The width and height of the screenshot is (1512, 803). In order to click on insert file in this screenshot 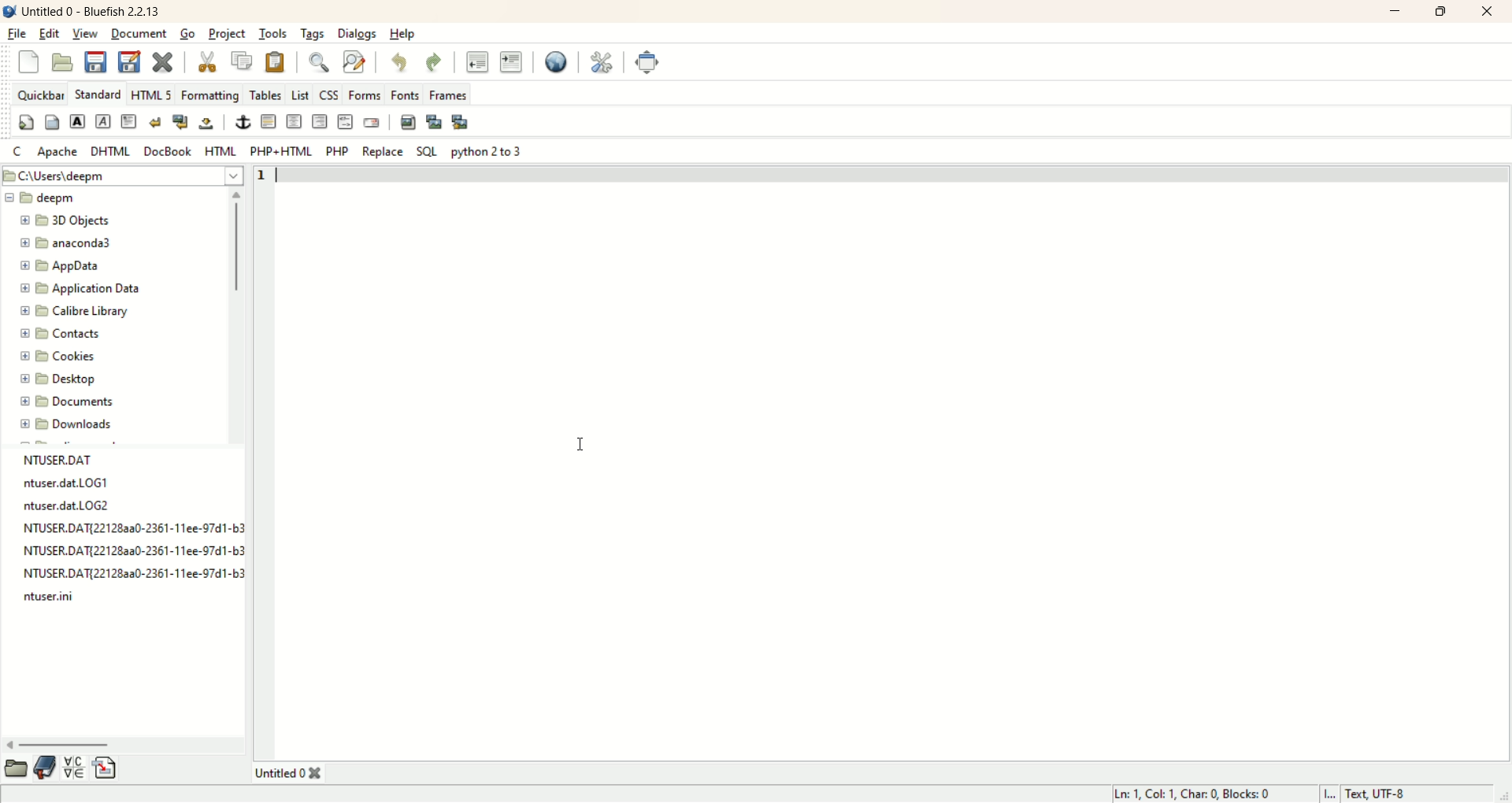, I will do `click(106, 768)`.